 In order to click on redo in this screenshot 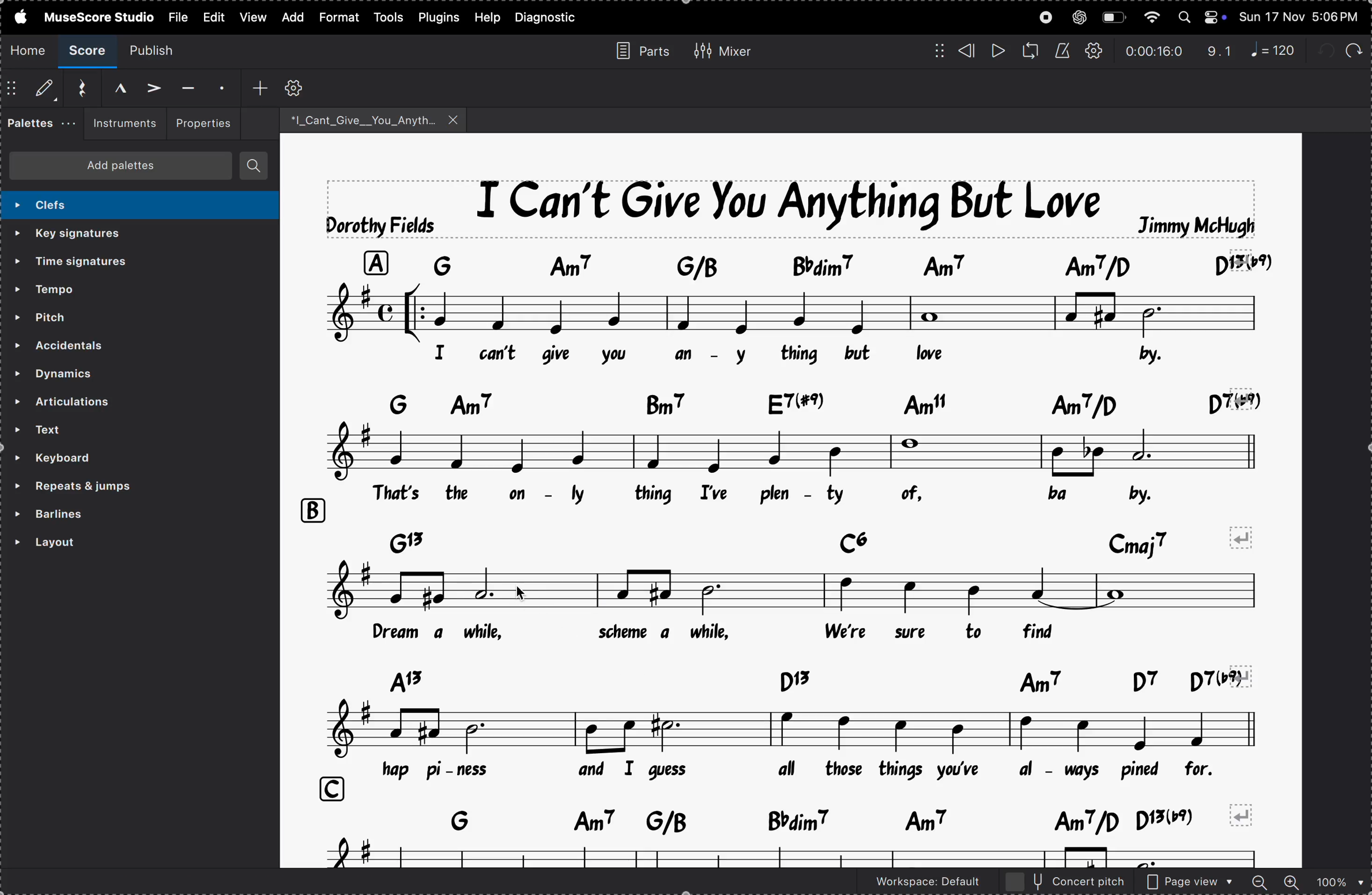, I will do `click(1352, 48)`.